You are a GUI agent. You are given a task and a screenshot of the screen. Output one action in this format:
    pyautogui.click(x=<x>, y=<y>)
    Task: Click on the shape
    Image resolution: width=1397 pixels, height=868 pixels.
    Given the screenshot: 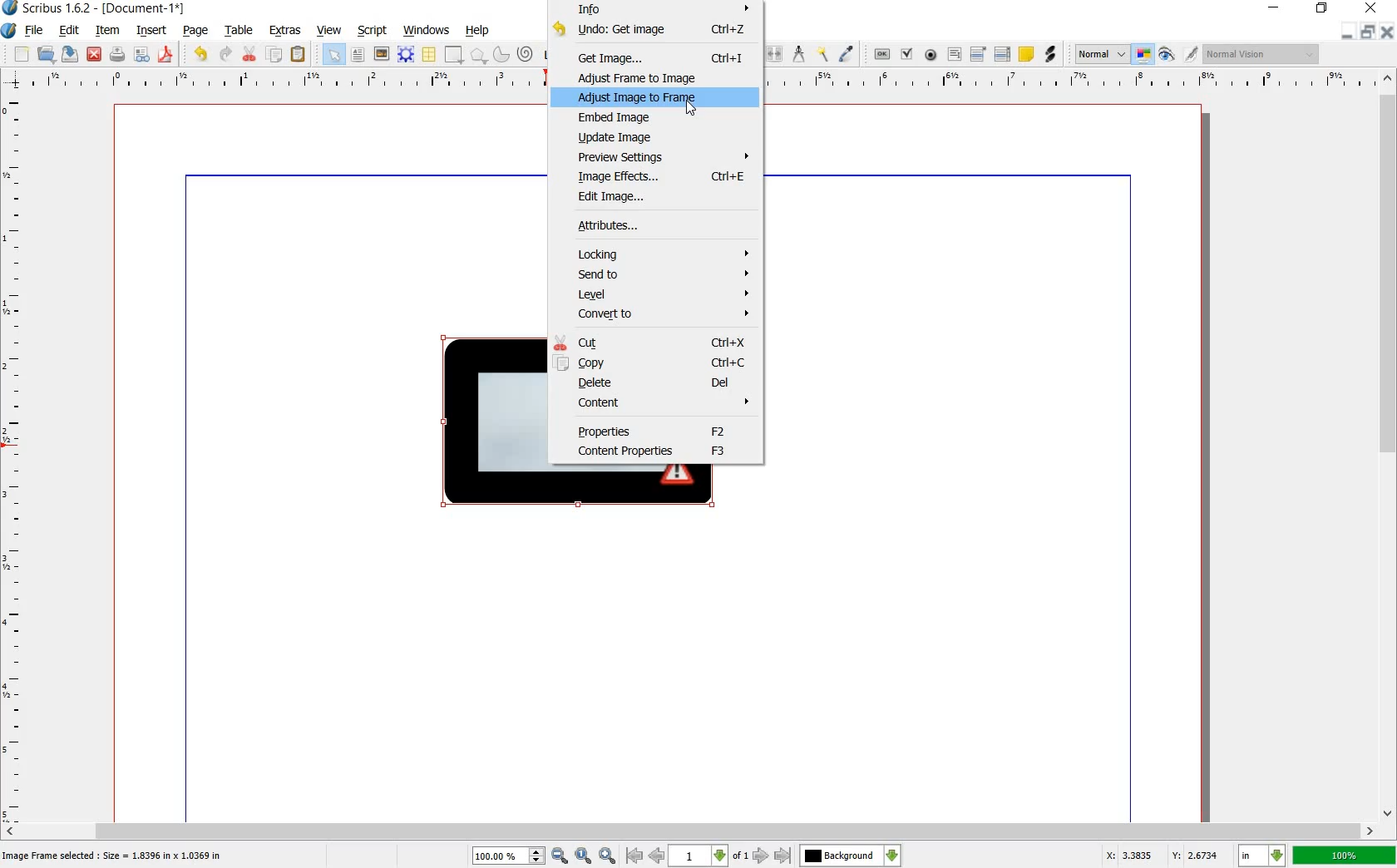 What is the action you would take?
    pyautogui.click(x=597, y=487)
    